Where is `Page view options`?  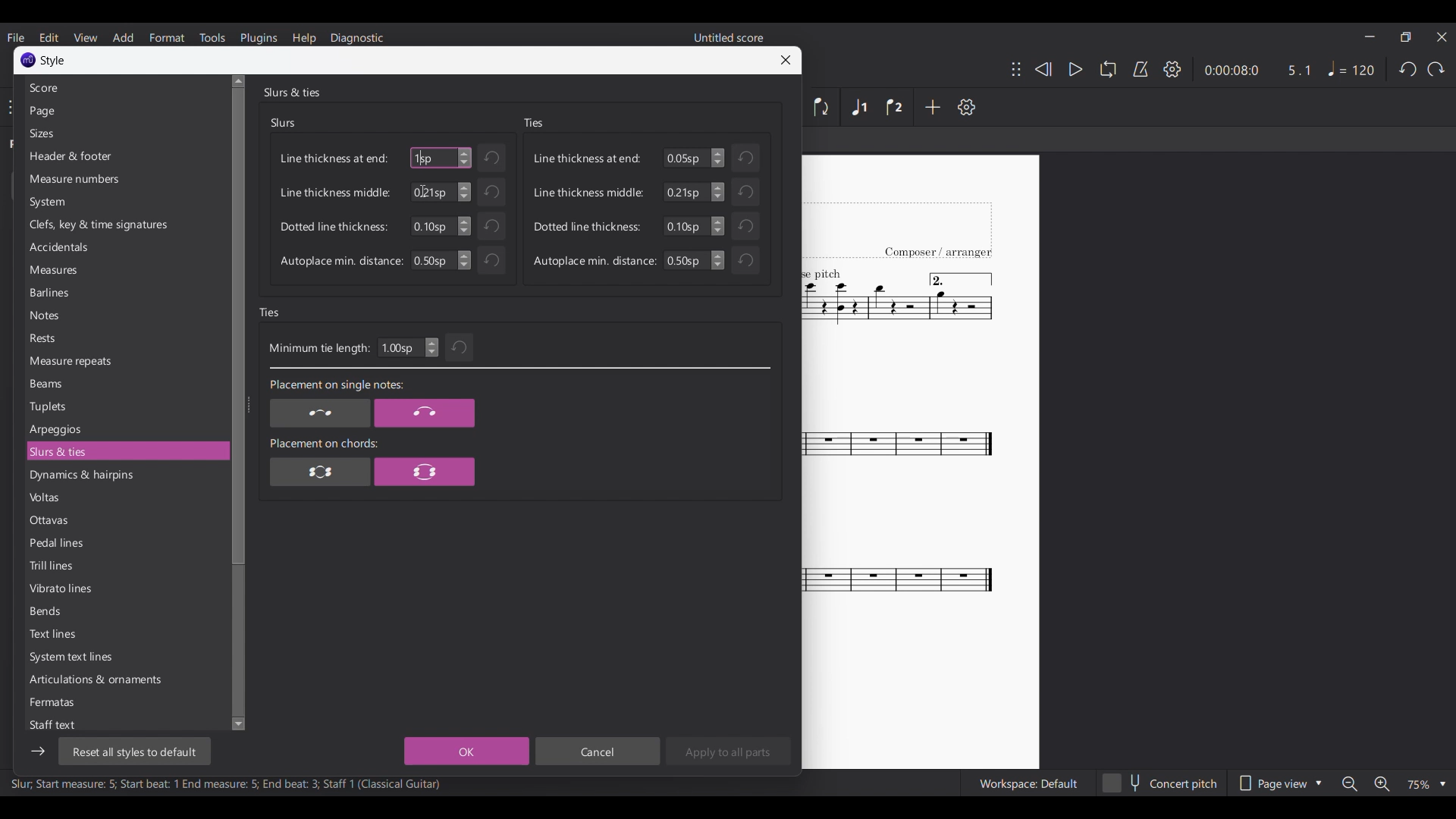
Page view options is located at coordinates (1279, 783).